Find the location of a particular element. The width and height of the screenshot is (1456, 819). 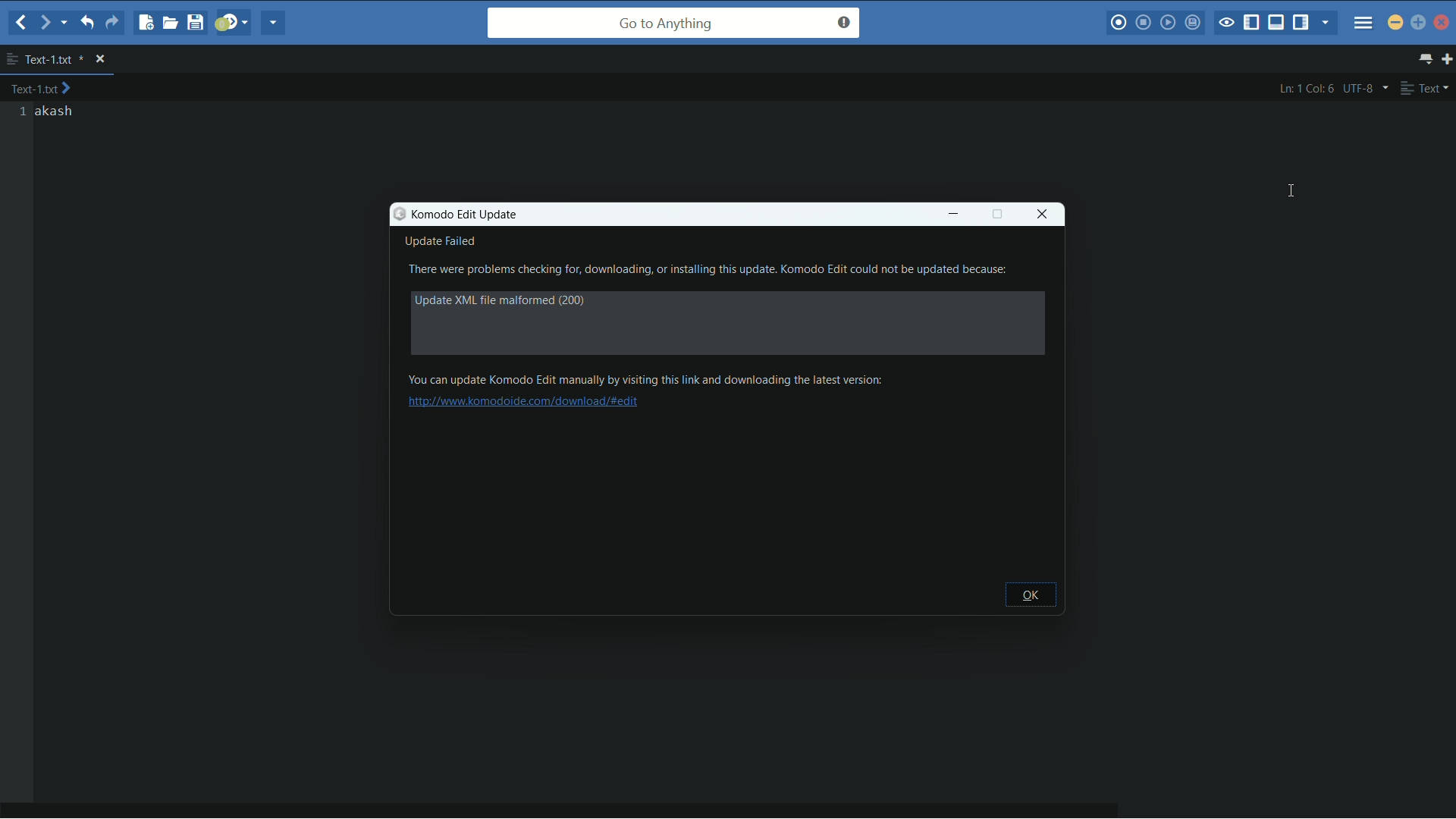

end is located at coordinates (67, 24).